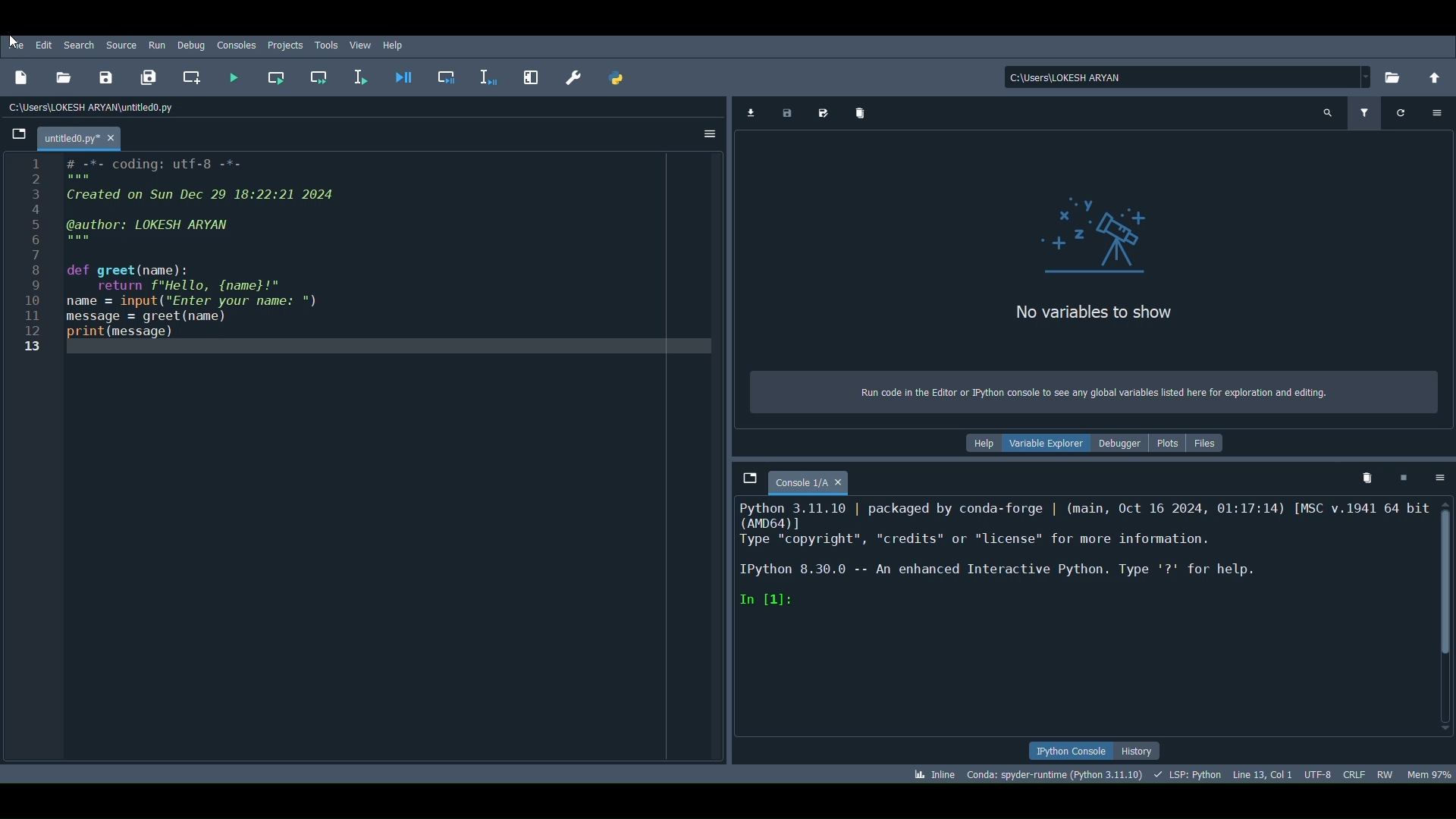 The width and height of the screenshot is (1456, 819). What do you see at coordinates (15, 133) in the screenshot?
I see `Browse tabs` at bounding box center [15, 133].